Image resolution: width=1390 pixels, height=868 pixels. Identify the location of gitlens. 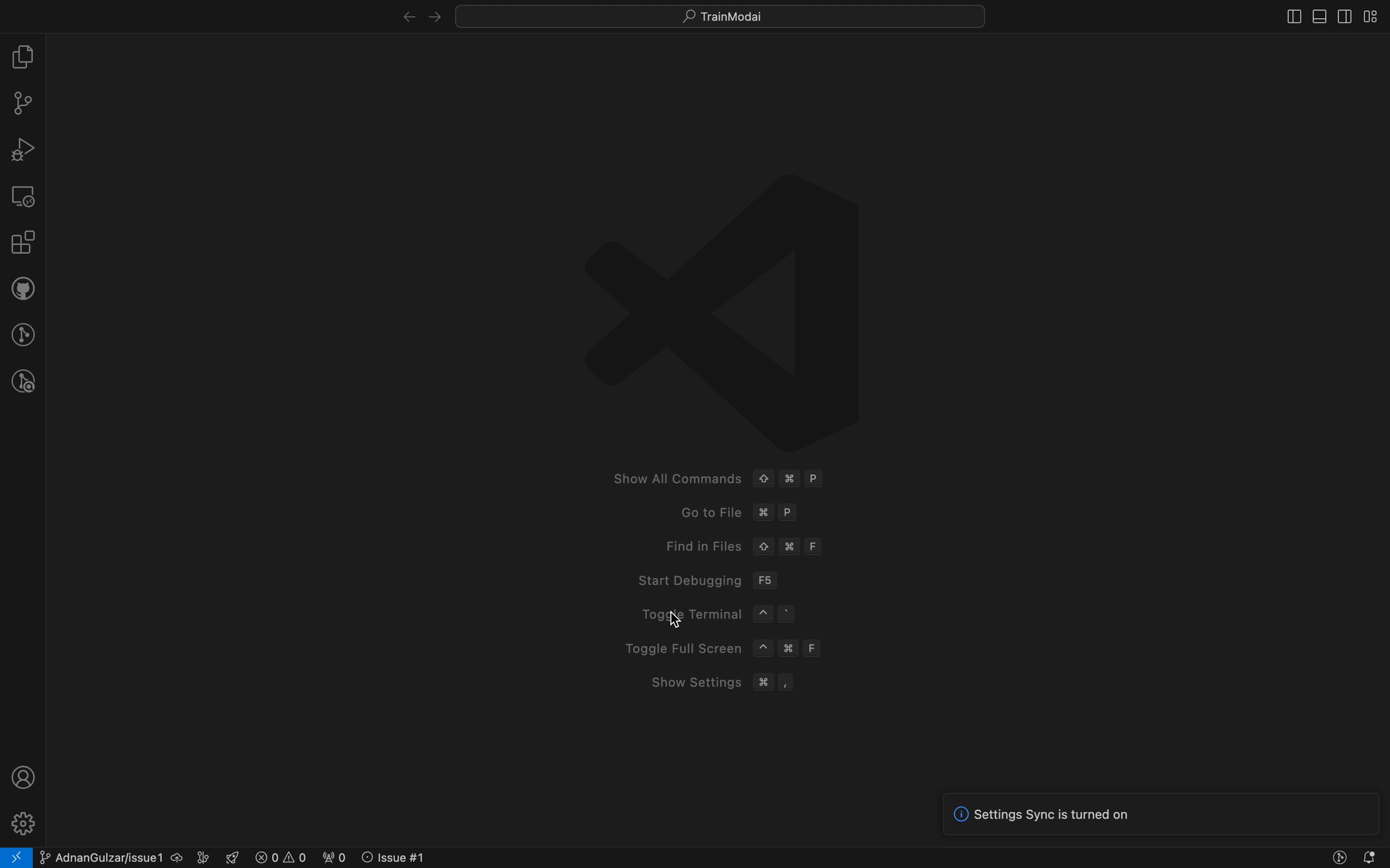
(22, 332).